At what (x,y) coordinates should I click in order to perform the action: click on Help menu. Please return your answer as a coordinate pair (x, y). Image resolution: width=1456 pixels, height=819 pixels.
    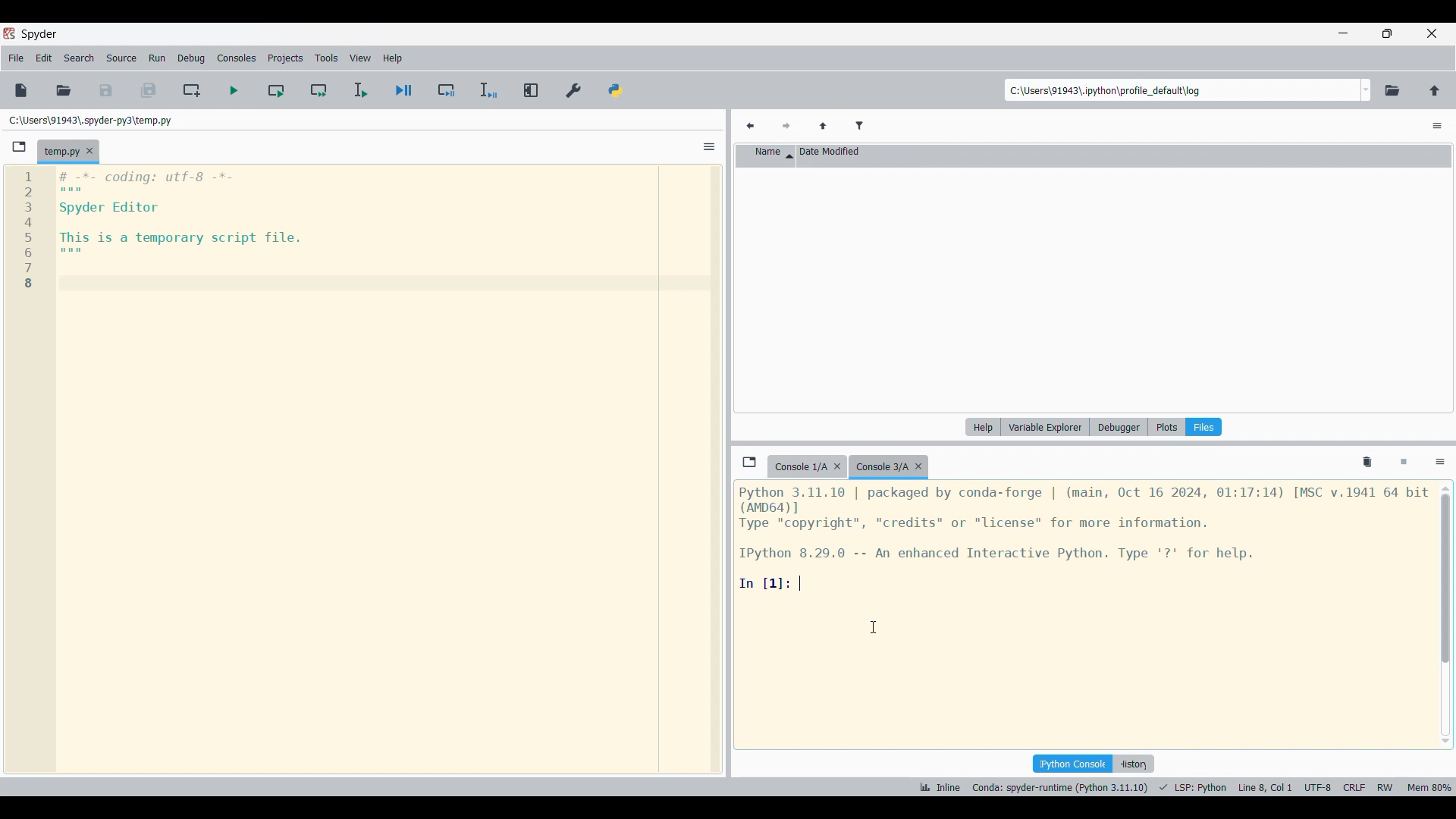
    Looking at the image, I should click on (392, 58).